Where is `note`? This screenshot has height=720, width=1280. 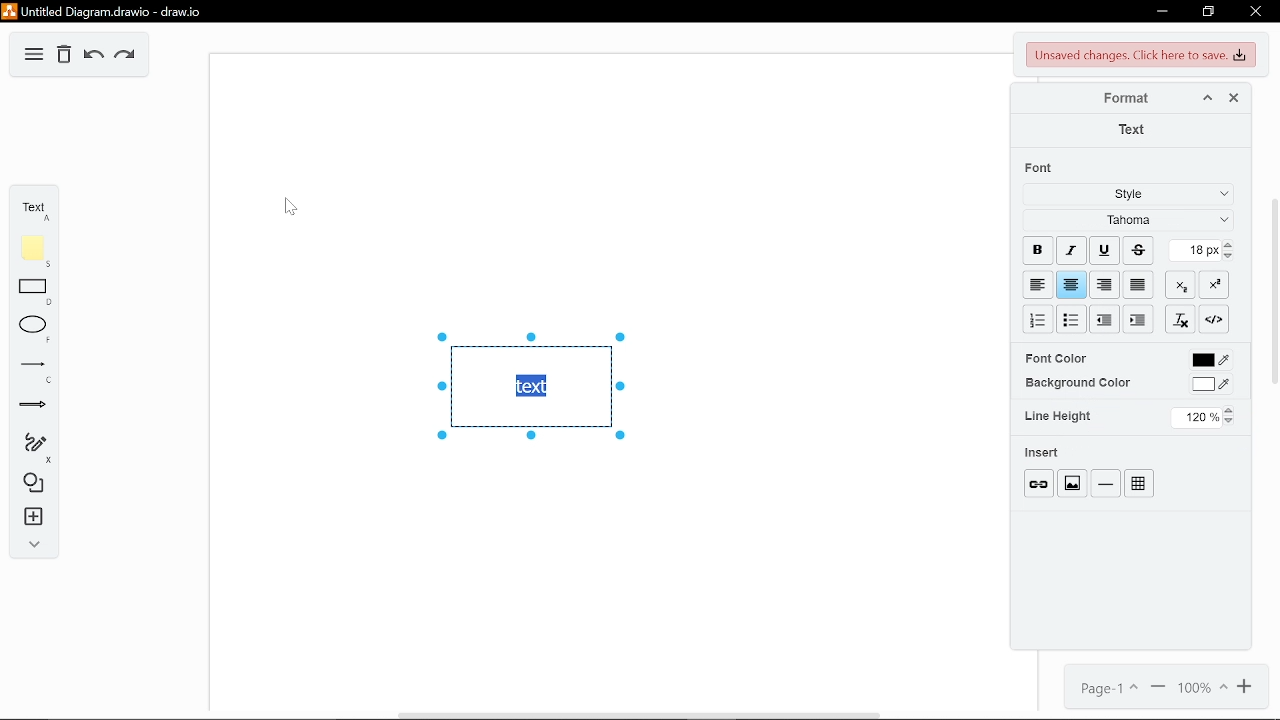 note is located at coordinates (29, 251).